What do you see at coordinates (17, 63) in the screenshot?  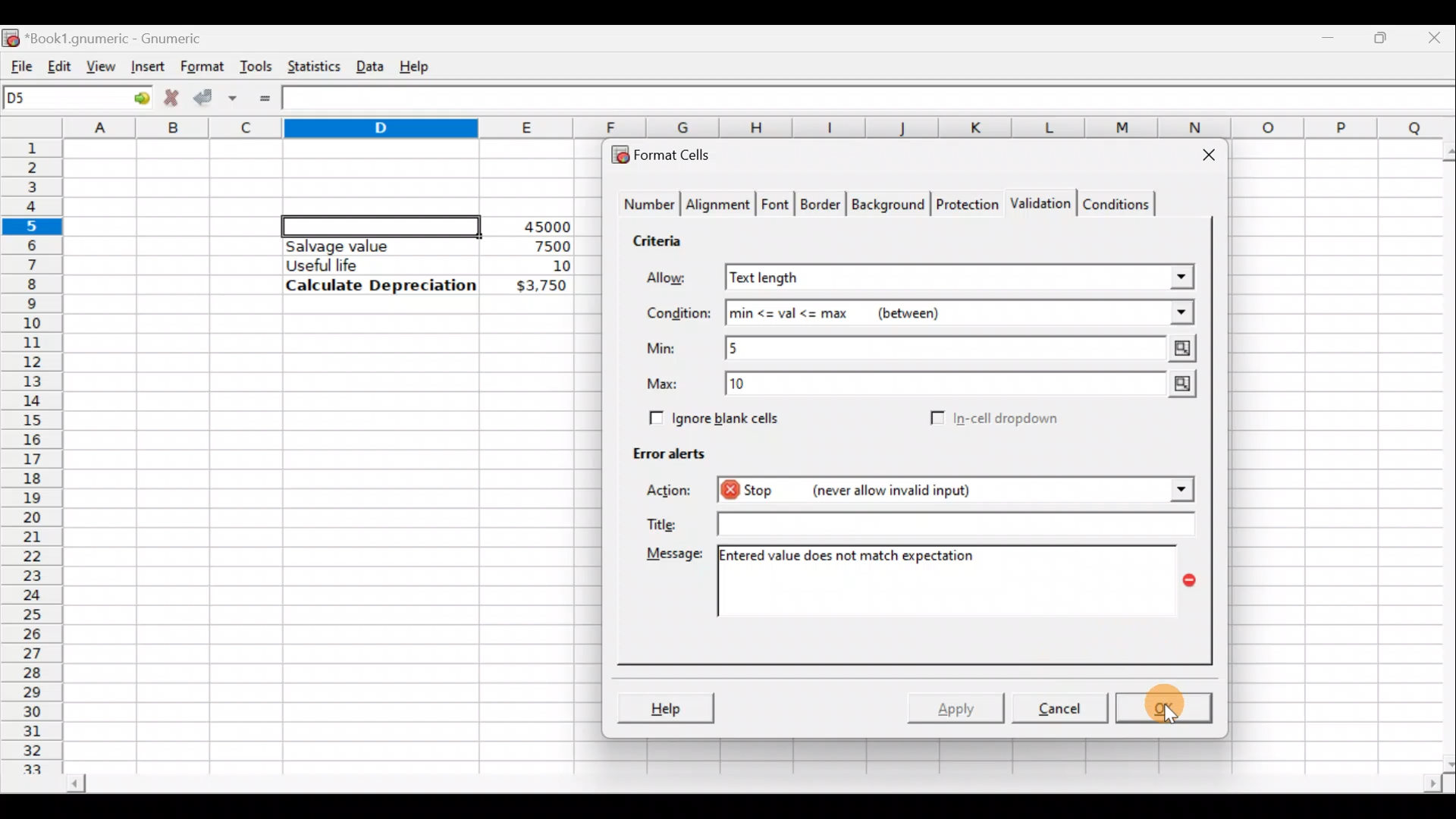 I see `File` at bounding box center [17, 63].